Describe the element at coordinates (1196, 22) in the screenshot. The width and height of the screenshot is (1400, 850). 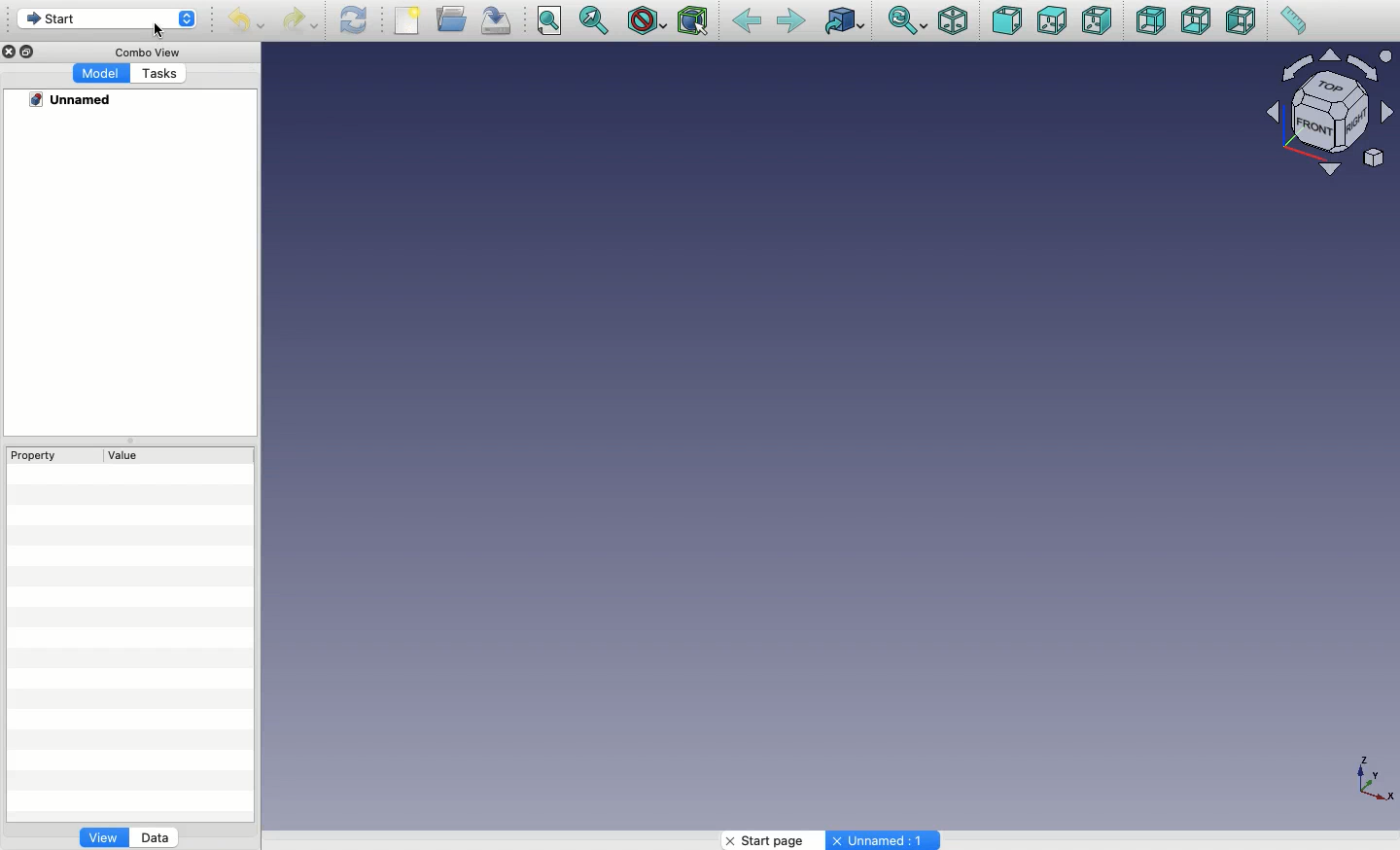
I see `Bottom` at that location.